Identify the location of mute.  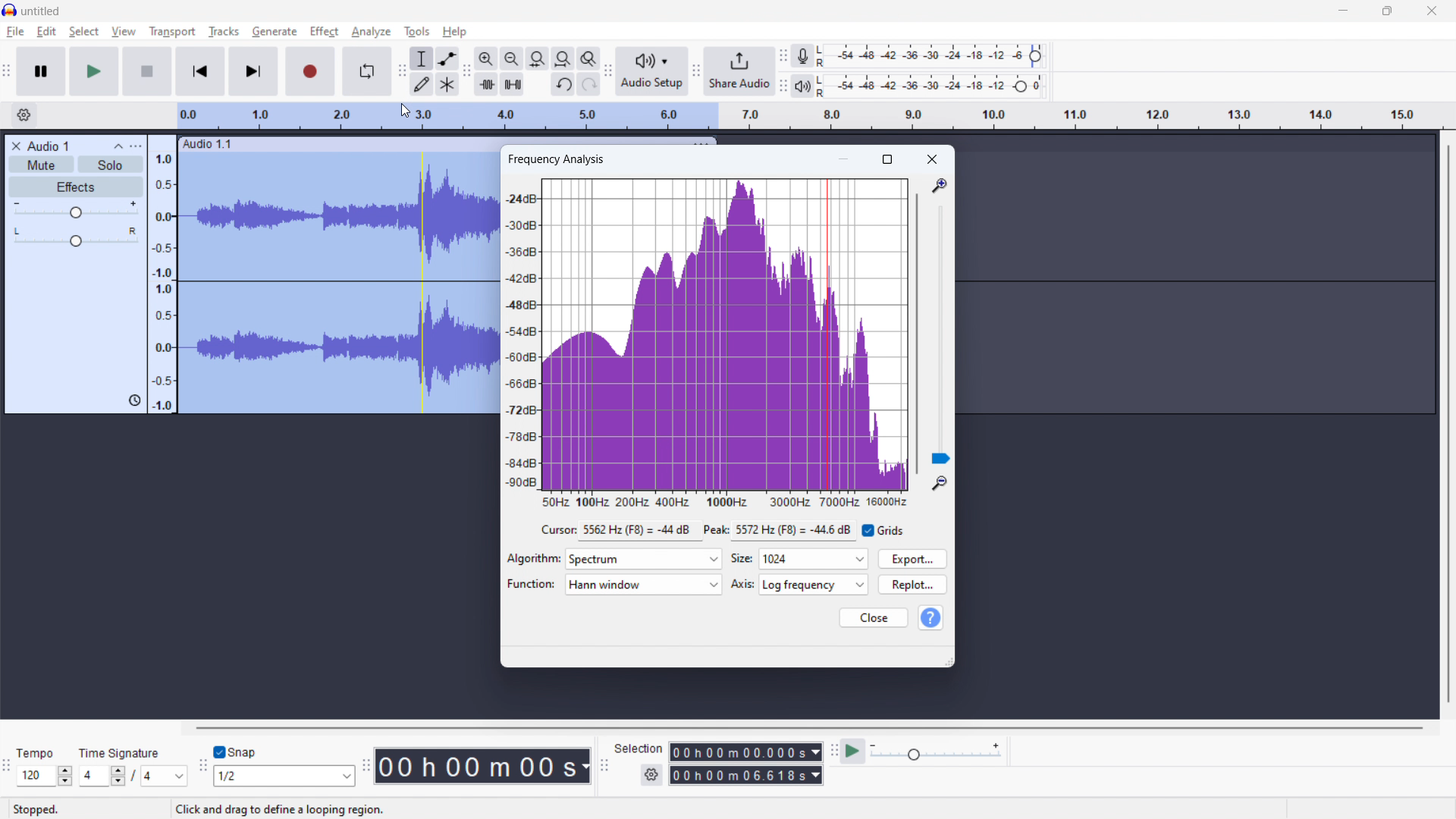
(42, 165).